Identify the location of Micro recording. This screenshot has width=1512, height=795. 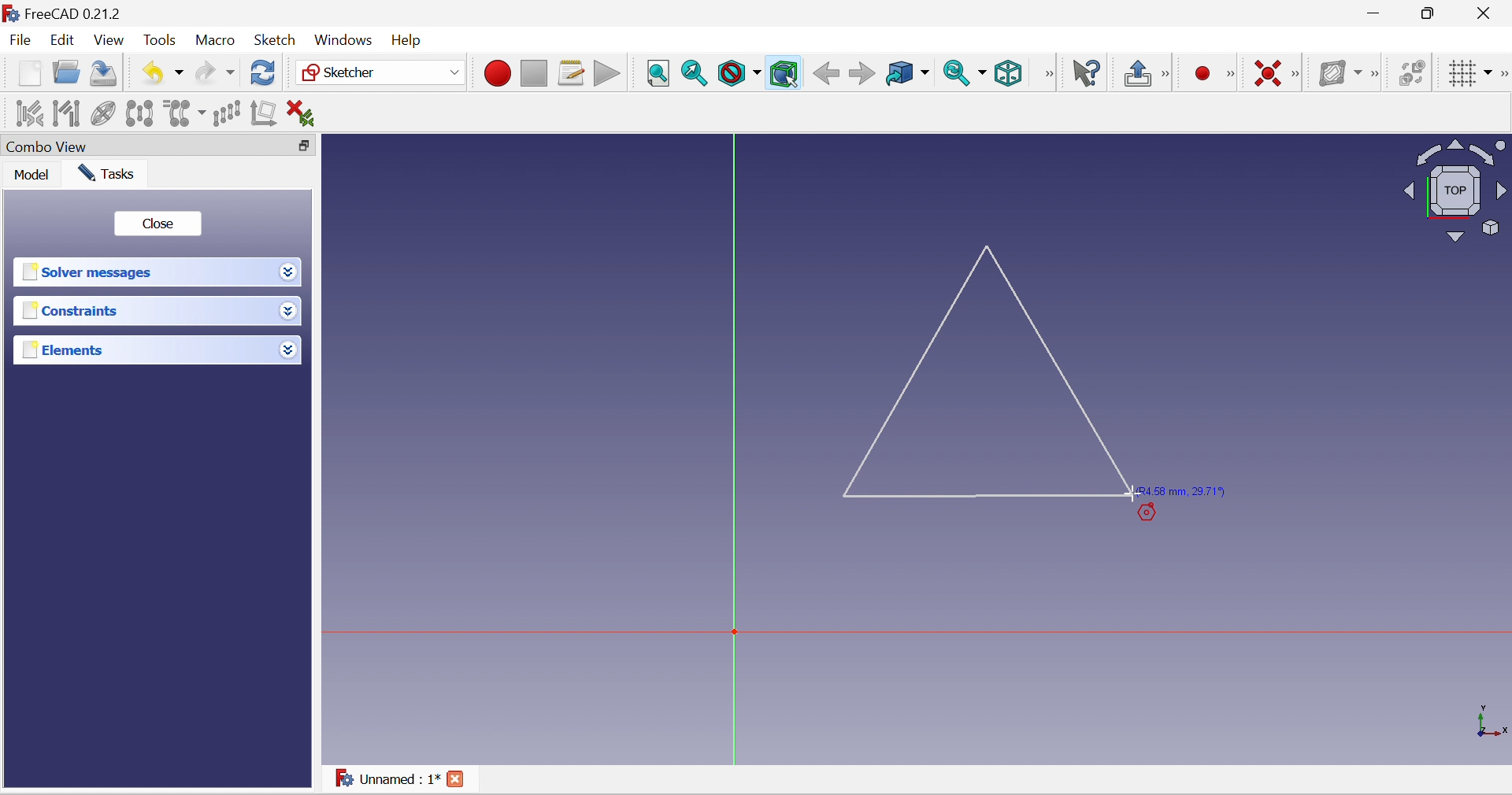
(1203, 75).